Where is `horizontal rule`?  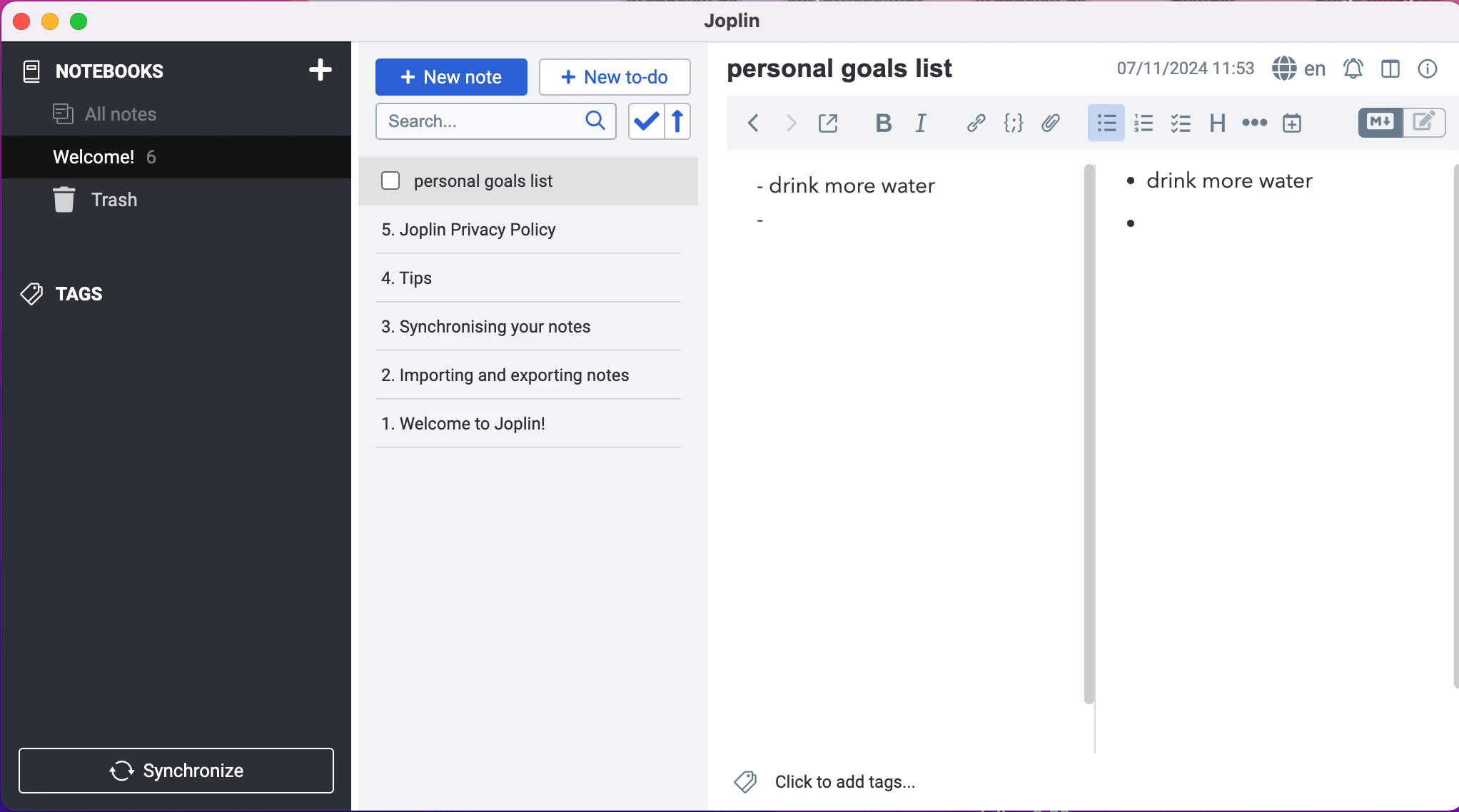 horizontal rule is located at coordinates (1252, 128).